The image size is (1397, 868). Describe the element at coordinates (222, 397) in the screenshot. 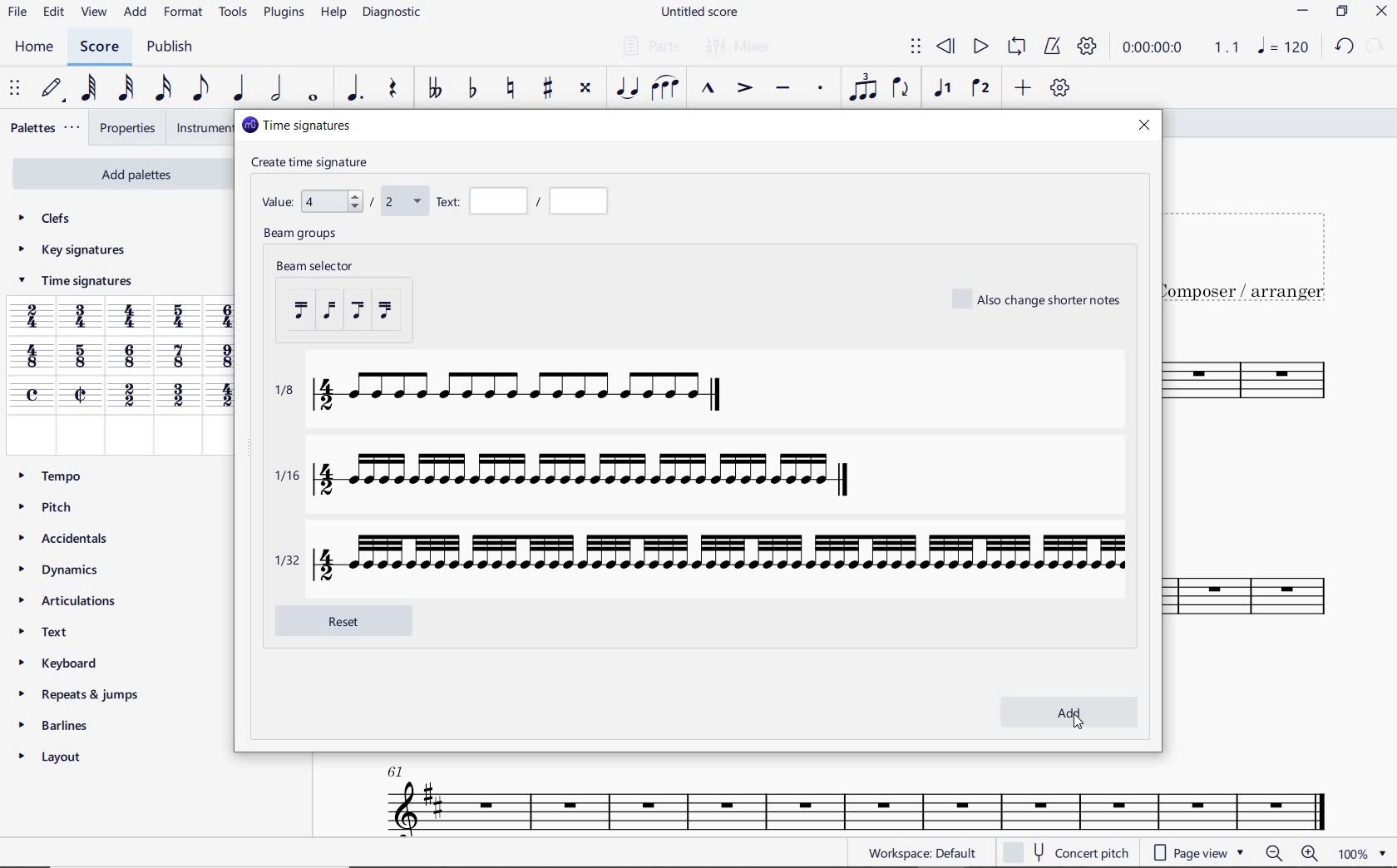

I see `Time signature 4/2 added` at that location.